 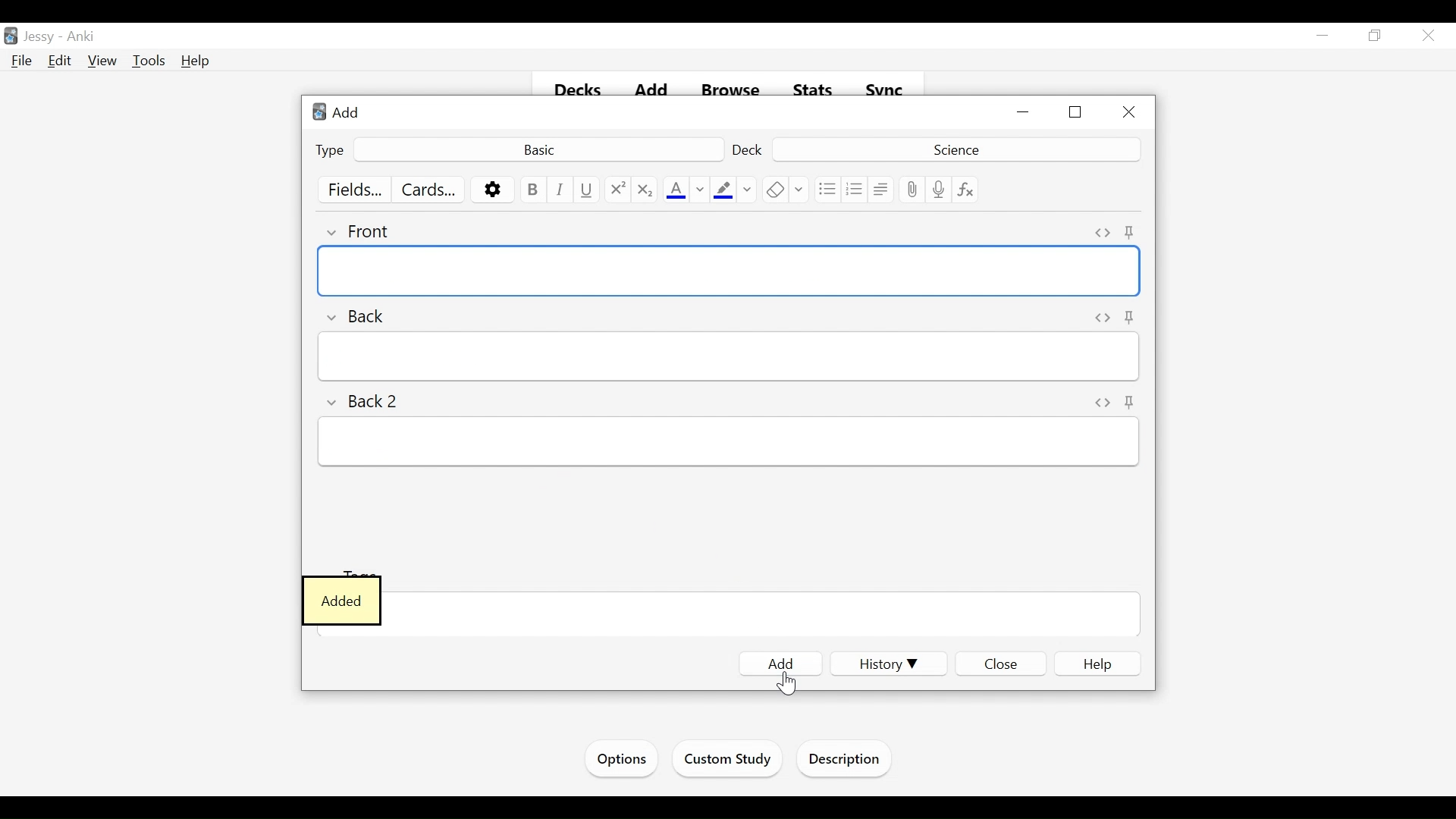 What do you see at coordinates (966, 190) in the screenshot?
I see `Equation` at bounding box center [966, 190].